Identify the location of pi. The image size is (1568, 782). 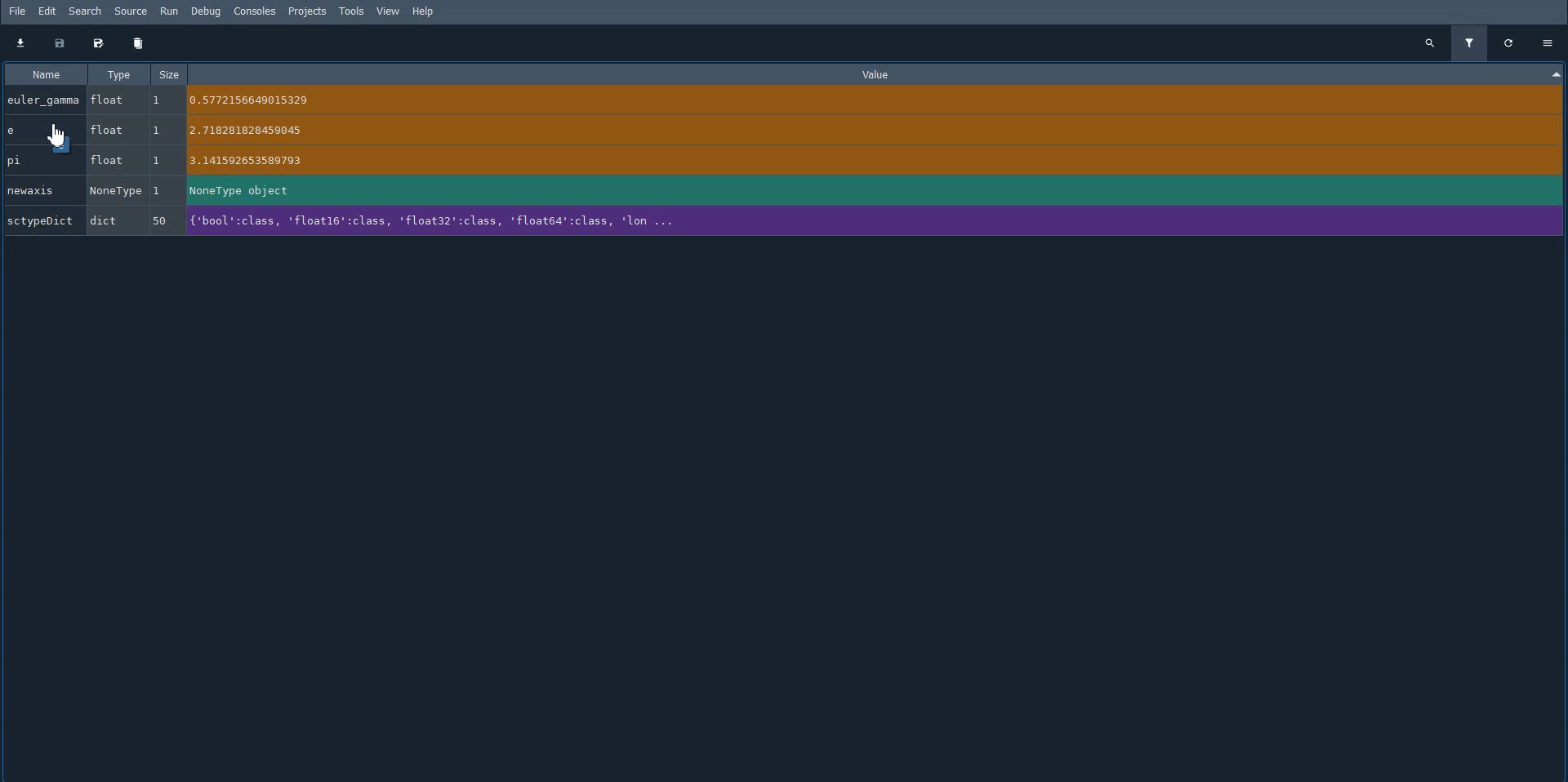
(784, 162).